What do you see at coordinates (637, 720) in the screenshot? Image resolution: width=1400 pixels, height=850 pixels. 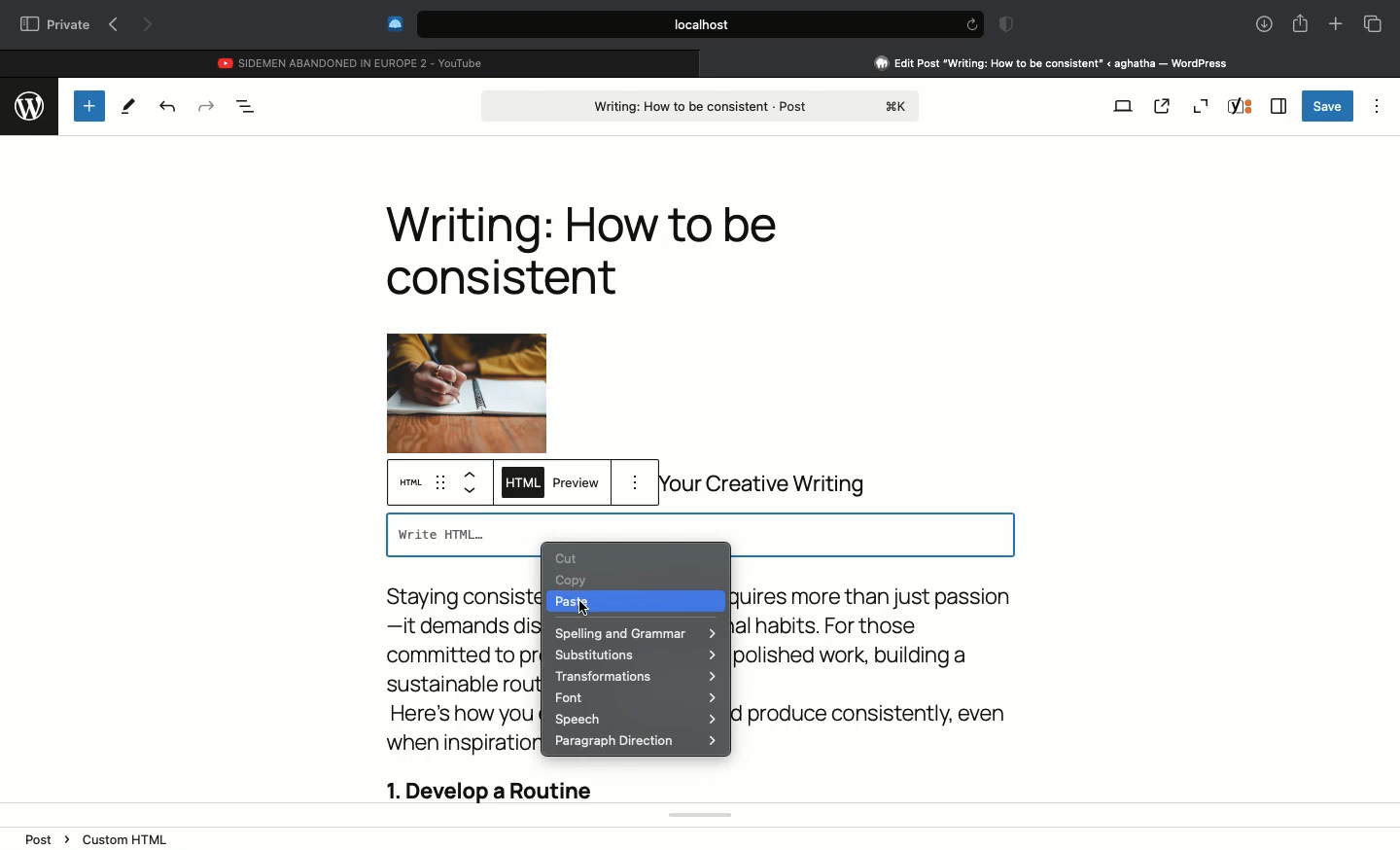 I see `Speech` at bounding box center [637, 720].